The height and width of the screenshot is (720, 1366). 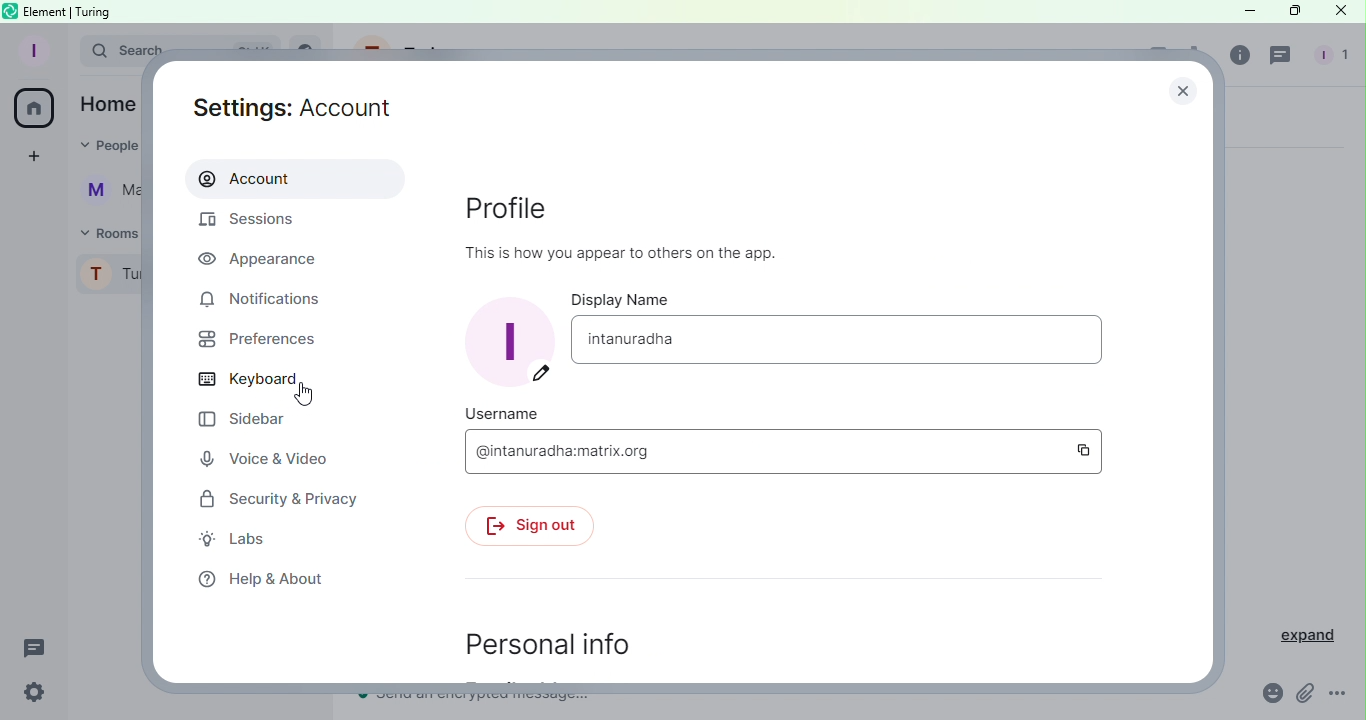 What do you see at coordinates (505, 412) in the screenshot?
I see `Username` at bounding box center [505, 412].